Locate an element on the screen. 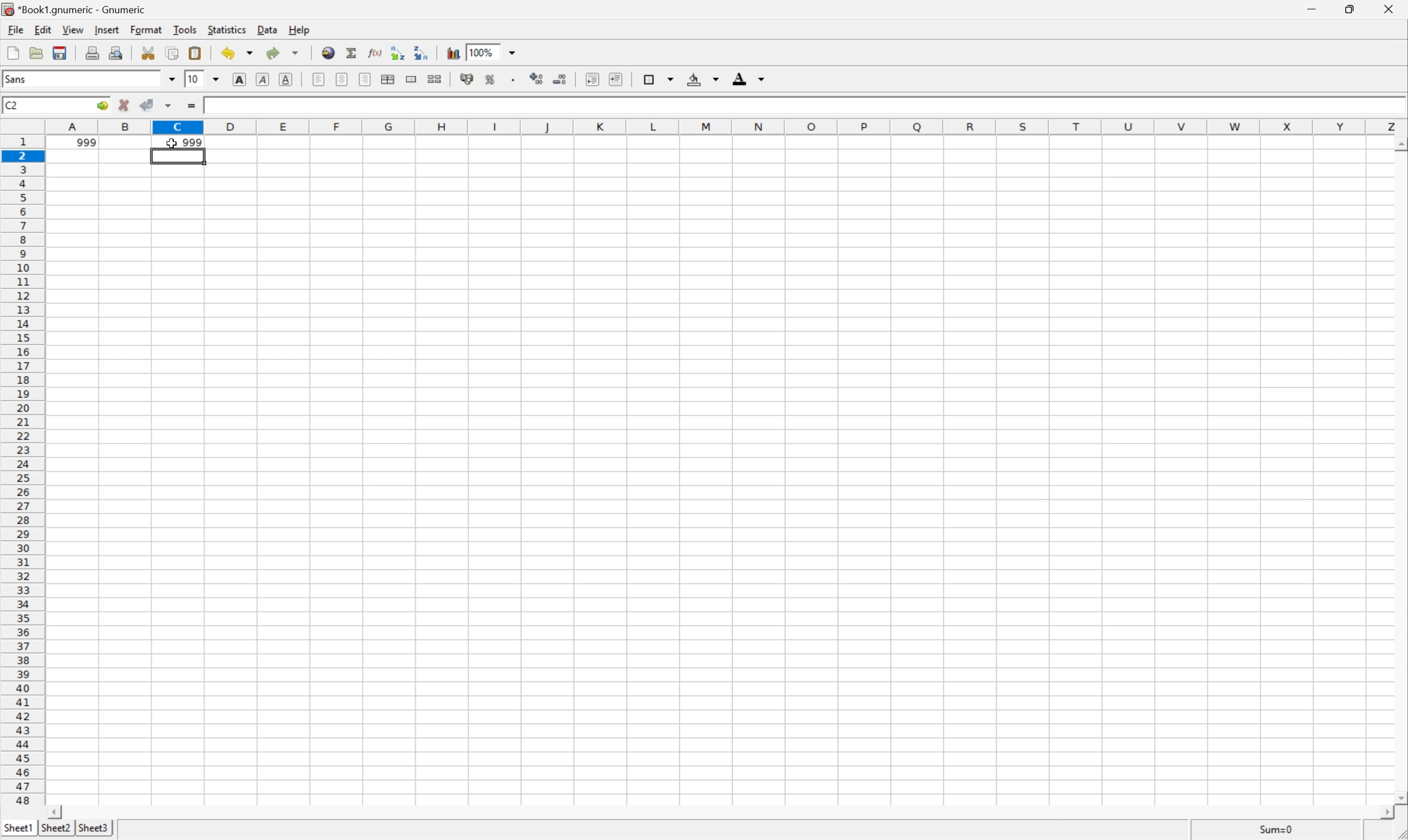 The width and height of the screenshot is (1408, 840). Align right is located at coordinates (365, 79).